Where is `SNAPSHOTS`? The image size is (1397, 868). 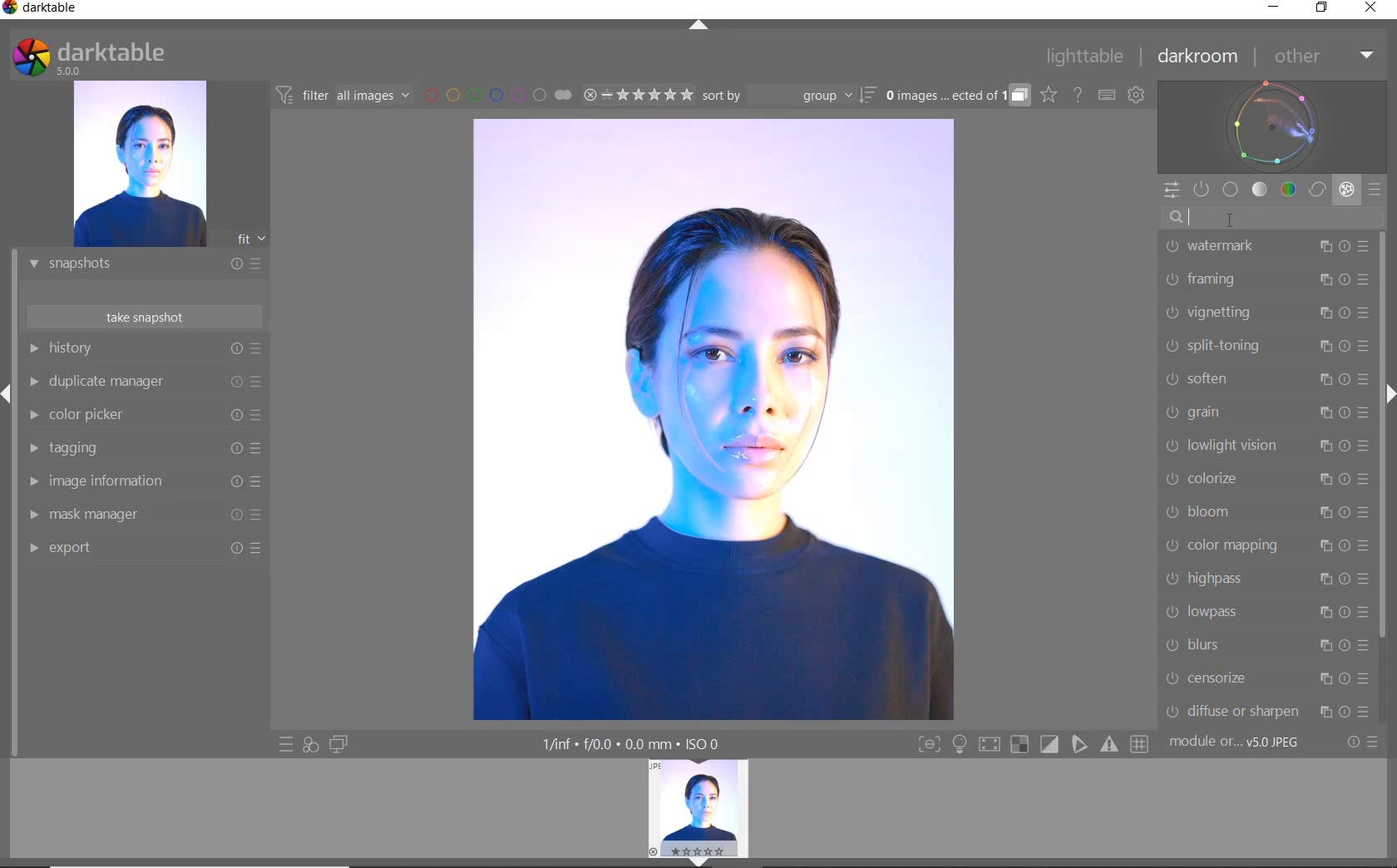 SNAPSHOTS is located at coordinates (138, 265).